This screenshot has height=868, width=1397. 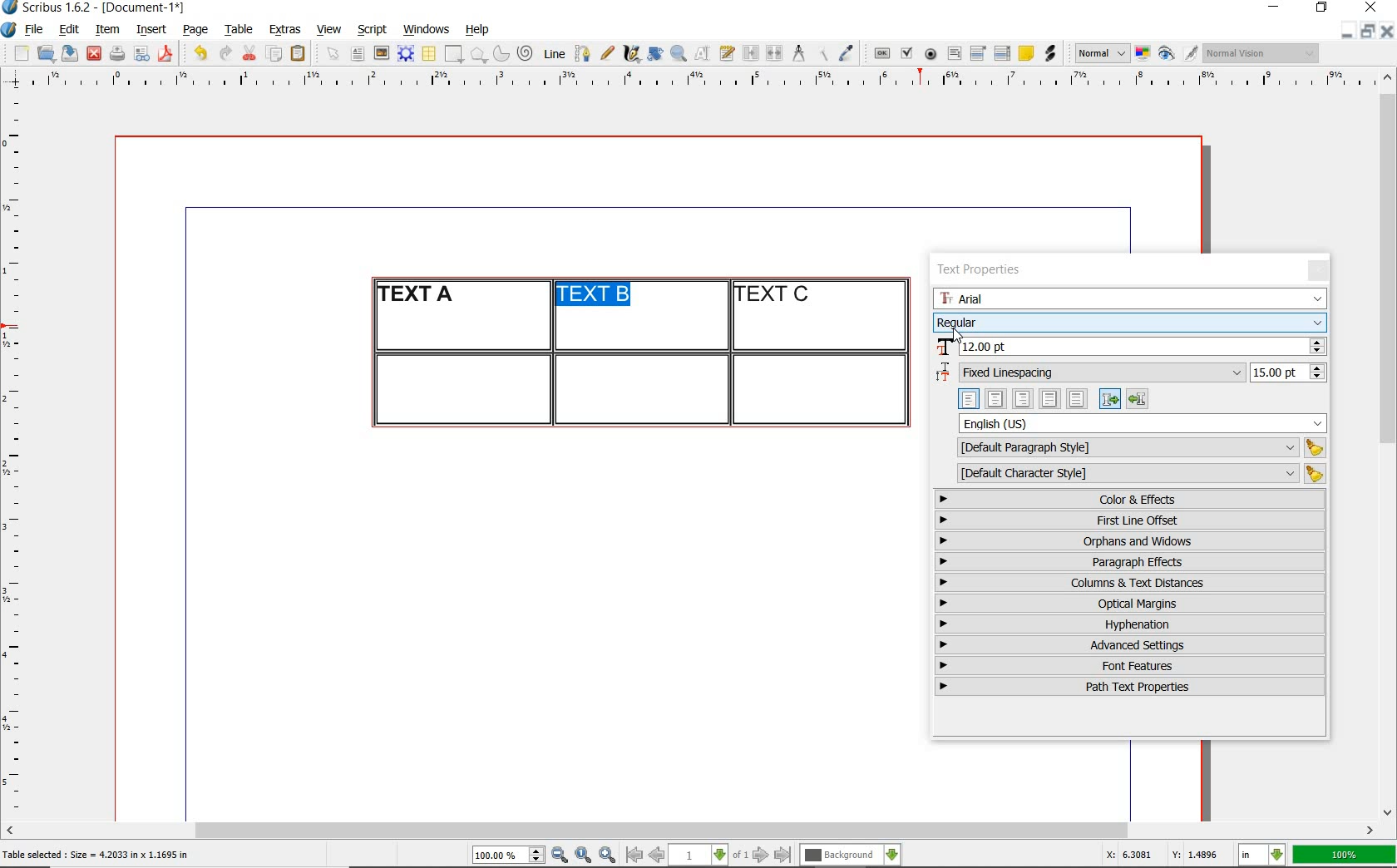 What do you see at coordinates (1132, 499) in the screenshot?
I see `color & effects` at bounding box center [1132, 499].